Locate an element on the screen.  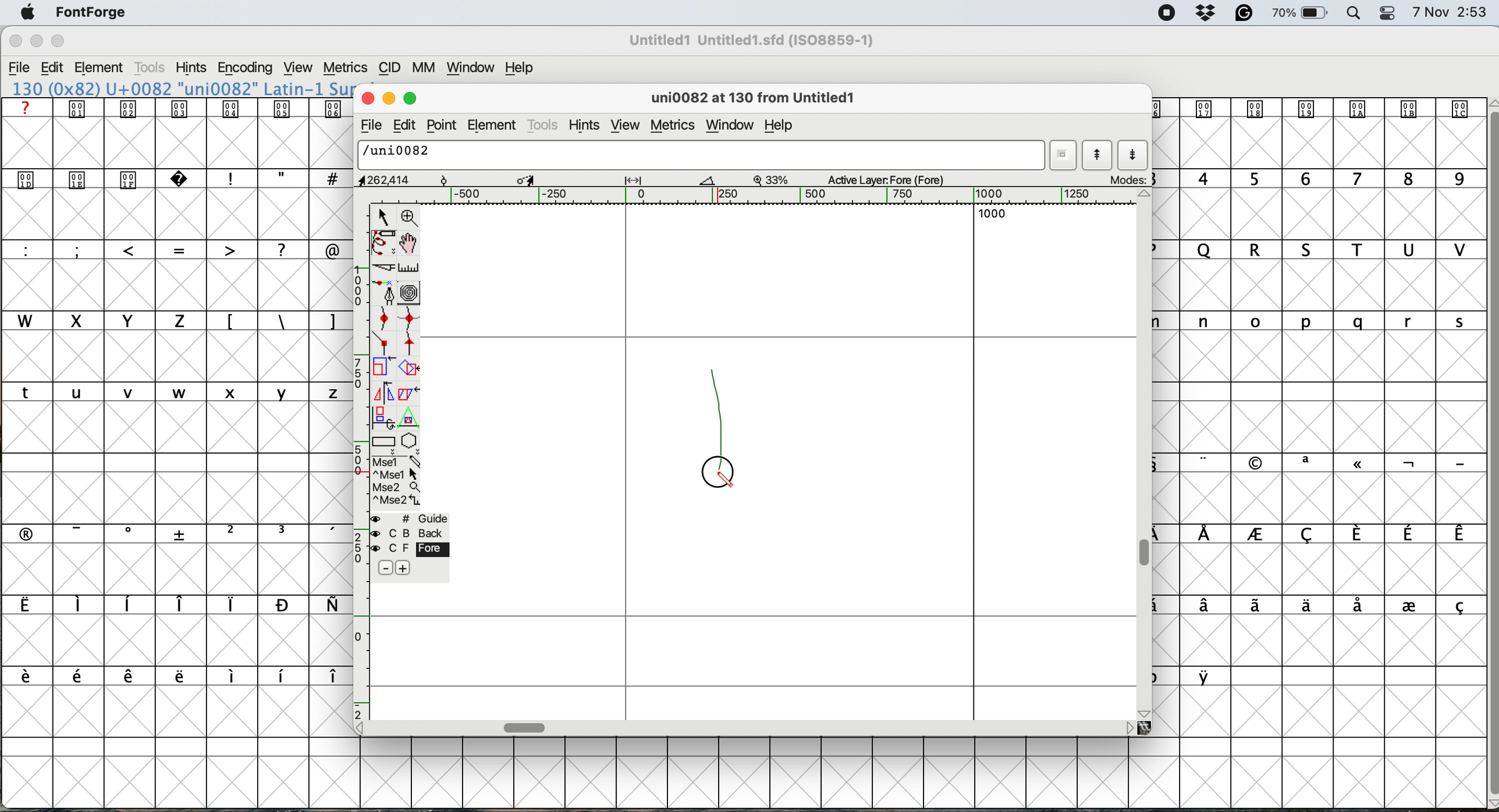
add a comer point is located at coordinates (385, 345).